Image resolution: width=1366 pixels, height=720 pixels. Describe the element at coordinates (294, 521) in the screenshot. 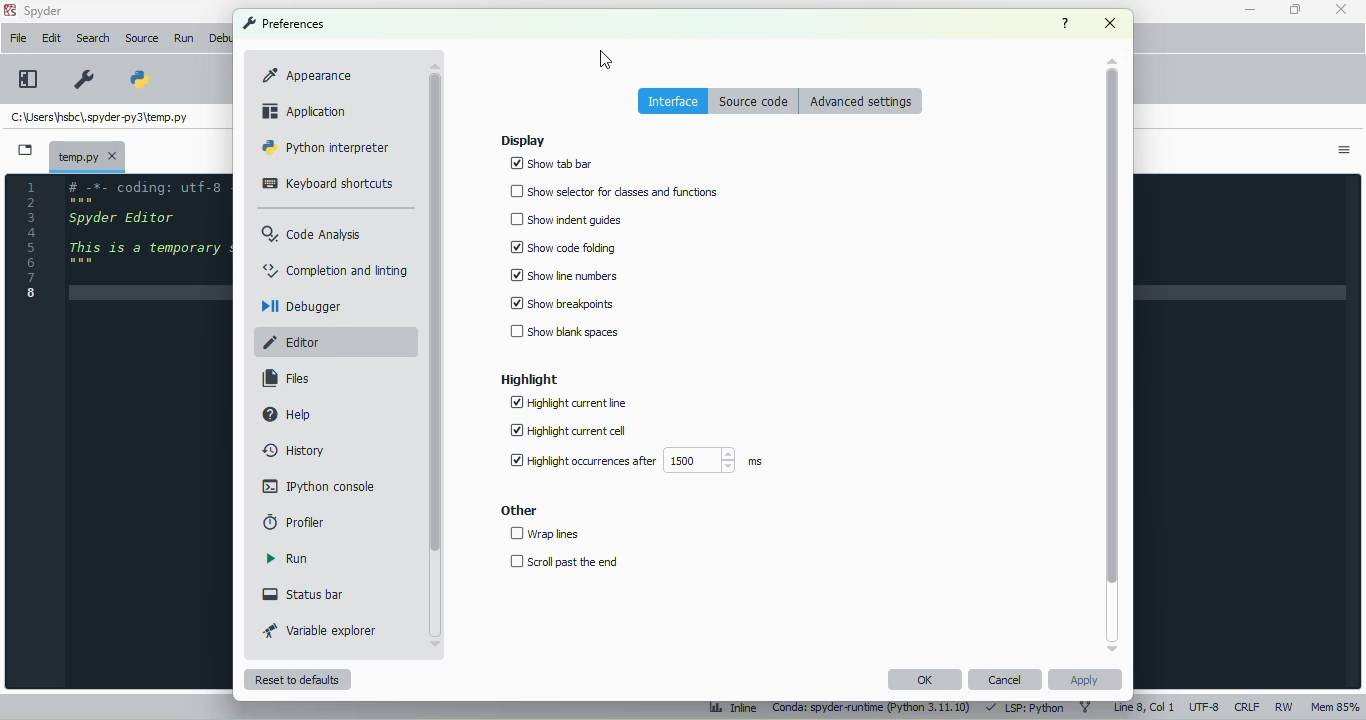

I see `profiler` at that location.